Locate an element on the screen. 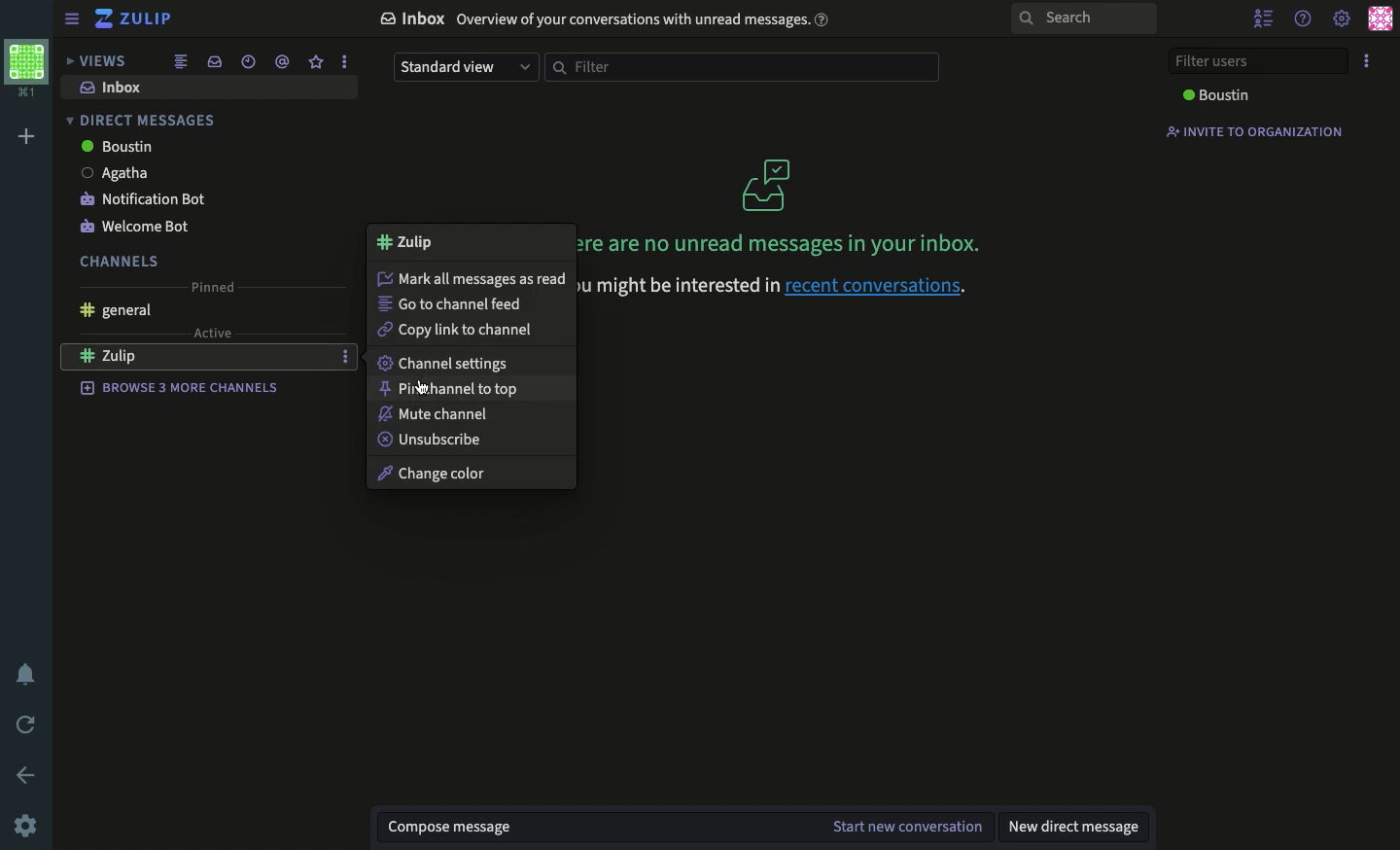 This screenshot has width=1400, height=850. mark all messages as read is located at coordinates (474, 278).